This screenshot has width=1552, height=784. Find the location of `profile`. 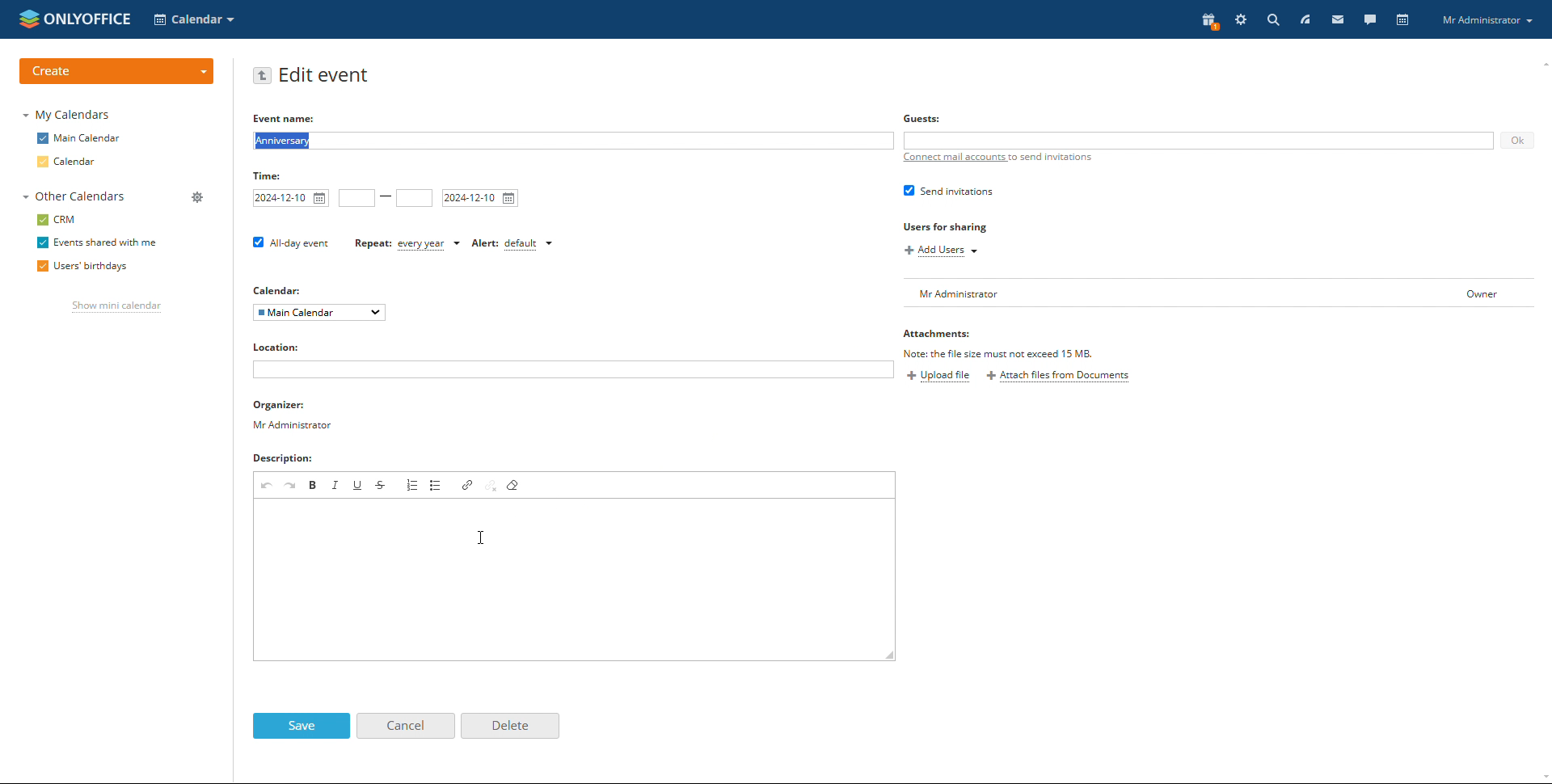

profile is located at coordinates (1487, 19).